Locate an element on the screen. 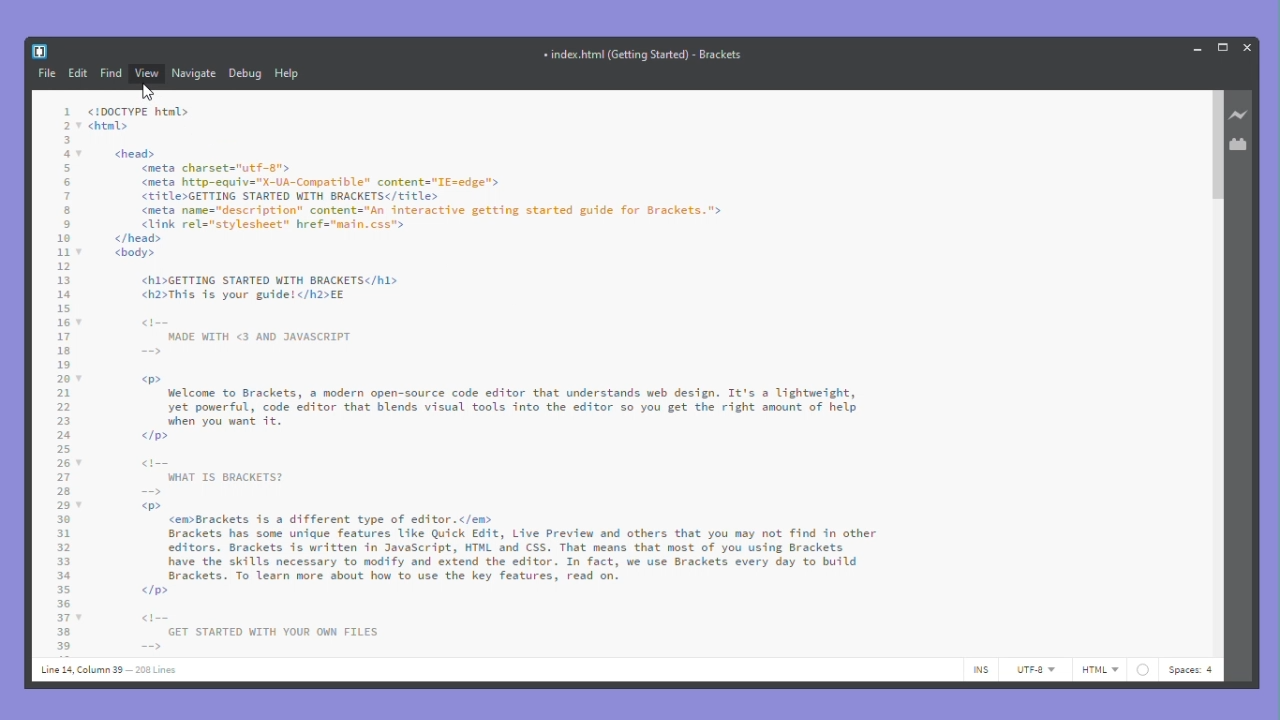 The width and height of the screenshot is (1280, 720). UTF - 8 is located at coordinates (1033, 670).